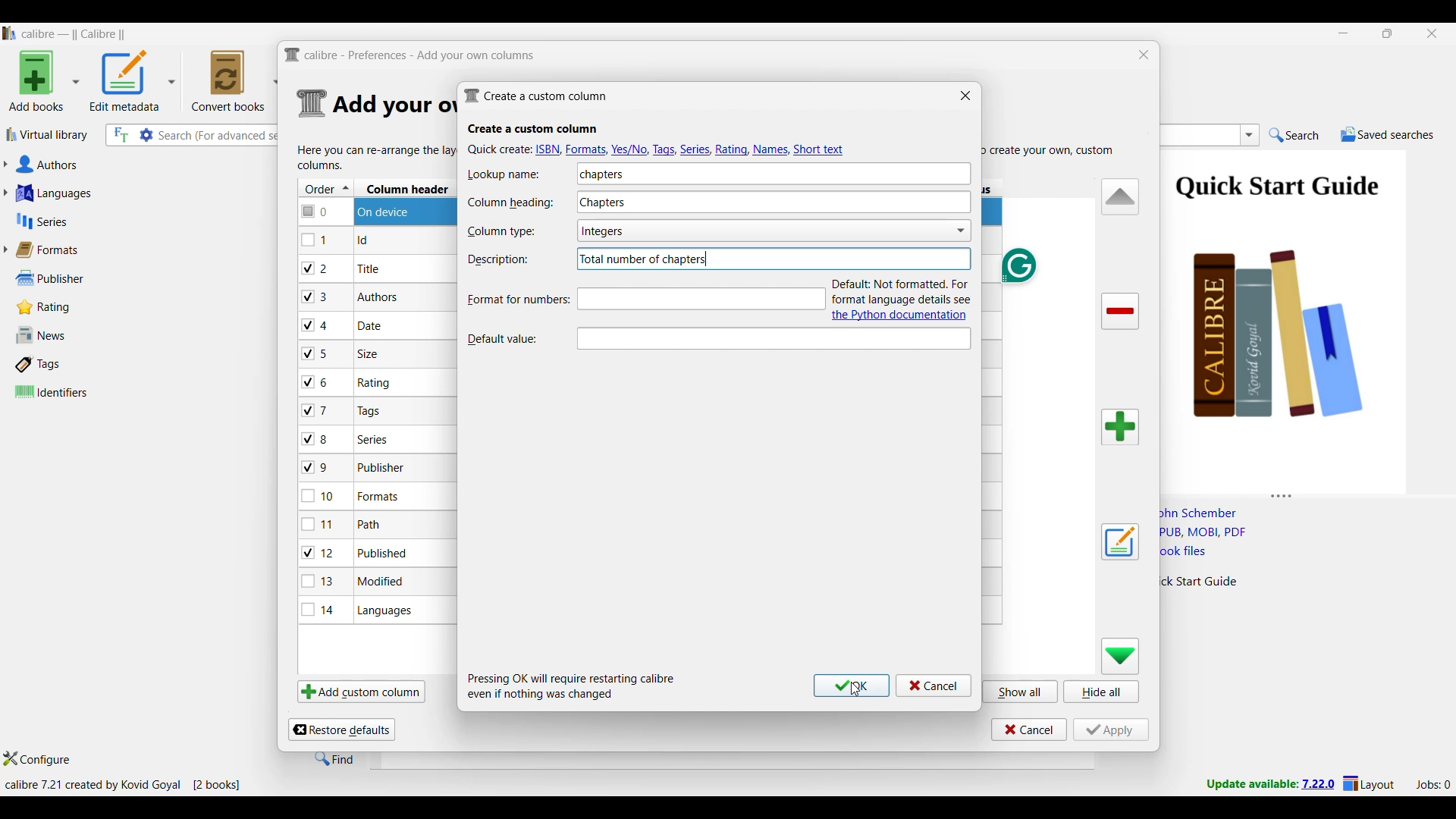 The width and height of the screenshot is (1456, 819). I want to click on Minimize, so click(1344, 33).